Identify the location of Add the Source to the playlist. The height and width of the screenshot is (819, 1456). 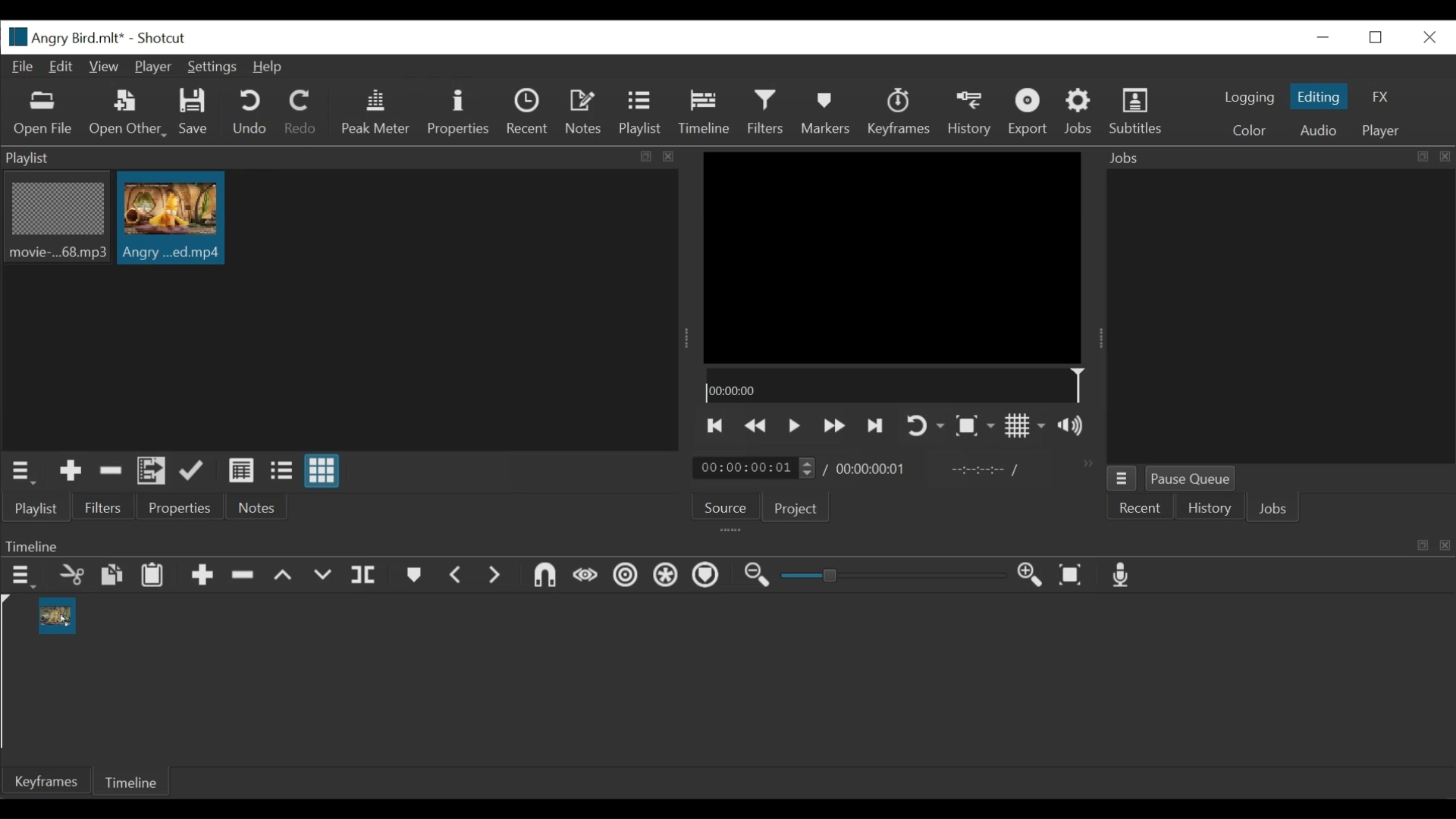
(71, 473).